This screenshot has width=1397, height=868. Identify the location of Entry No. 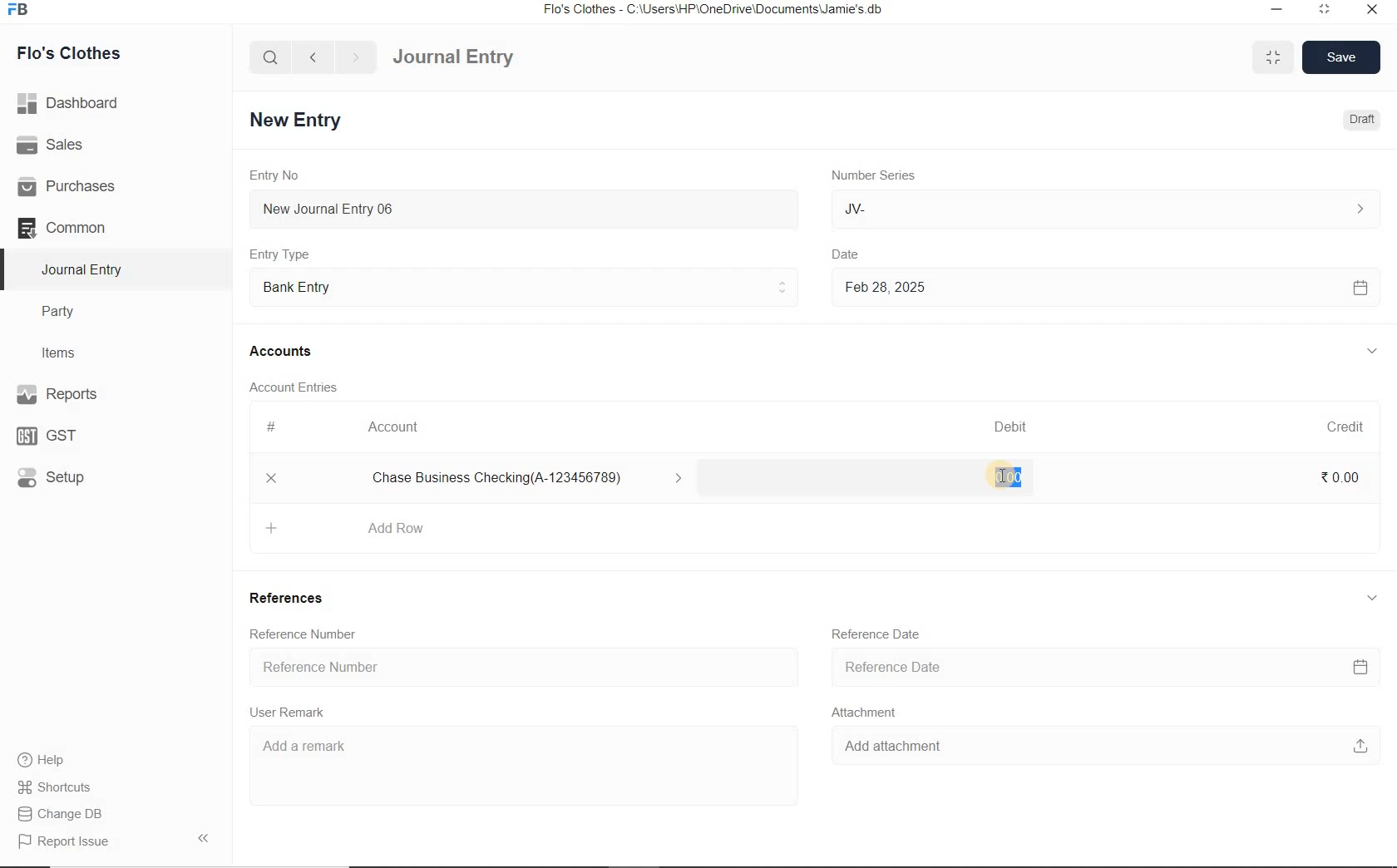
(277, 175).